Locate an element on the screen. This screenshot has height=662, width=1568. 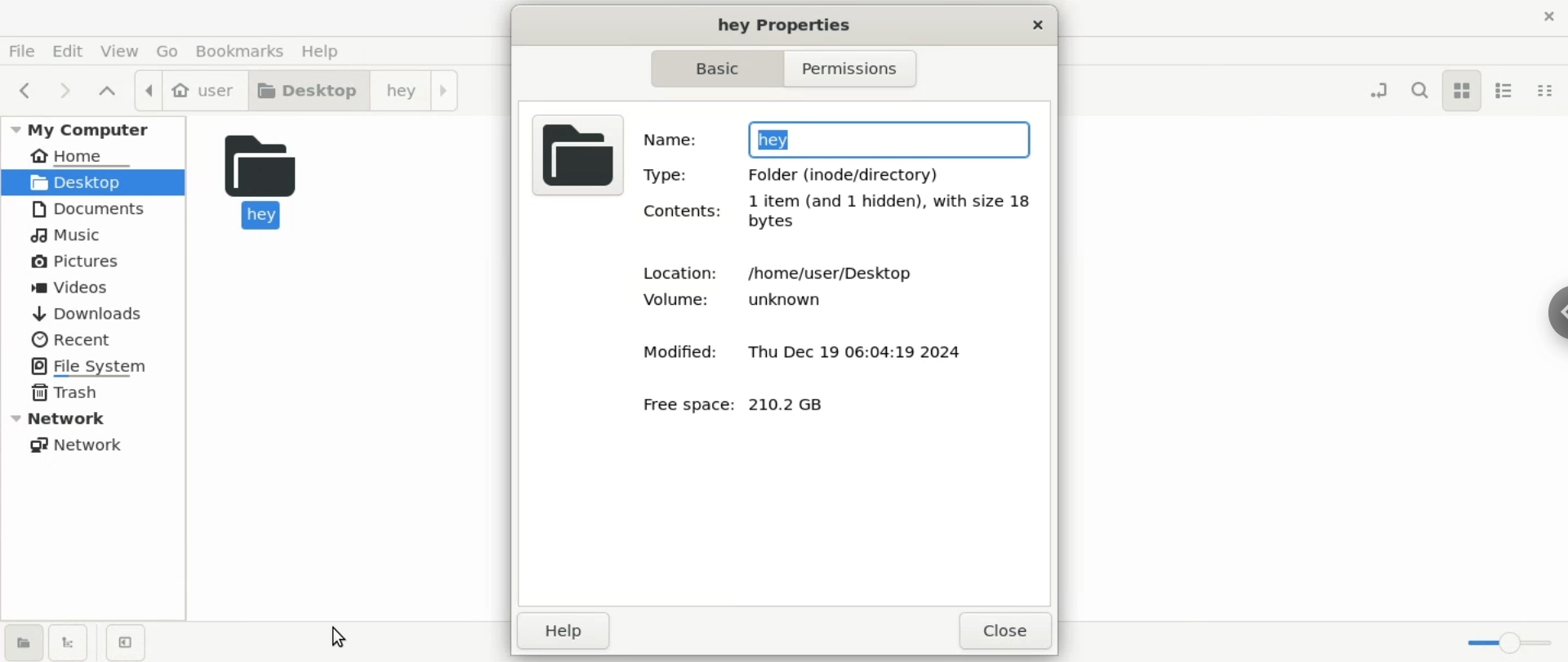
documents is located at coordinates (91, 209).